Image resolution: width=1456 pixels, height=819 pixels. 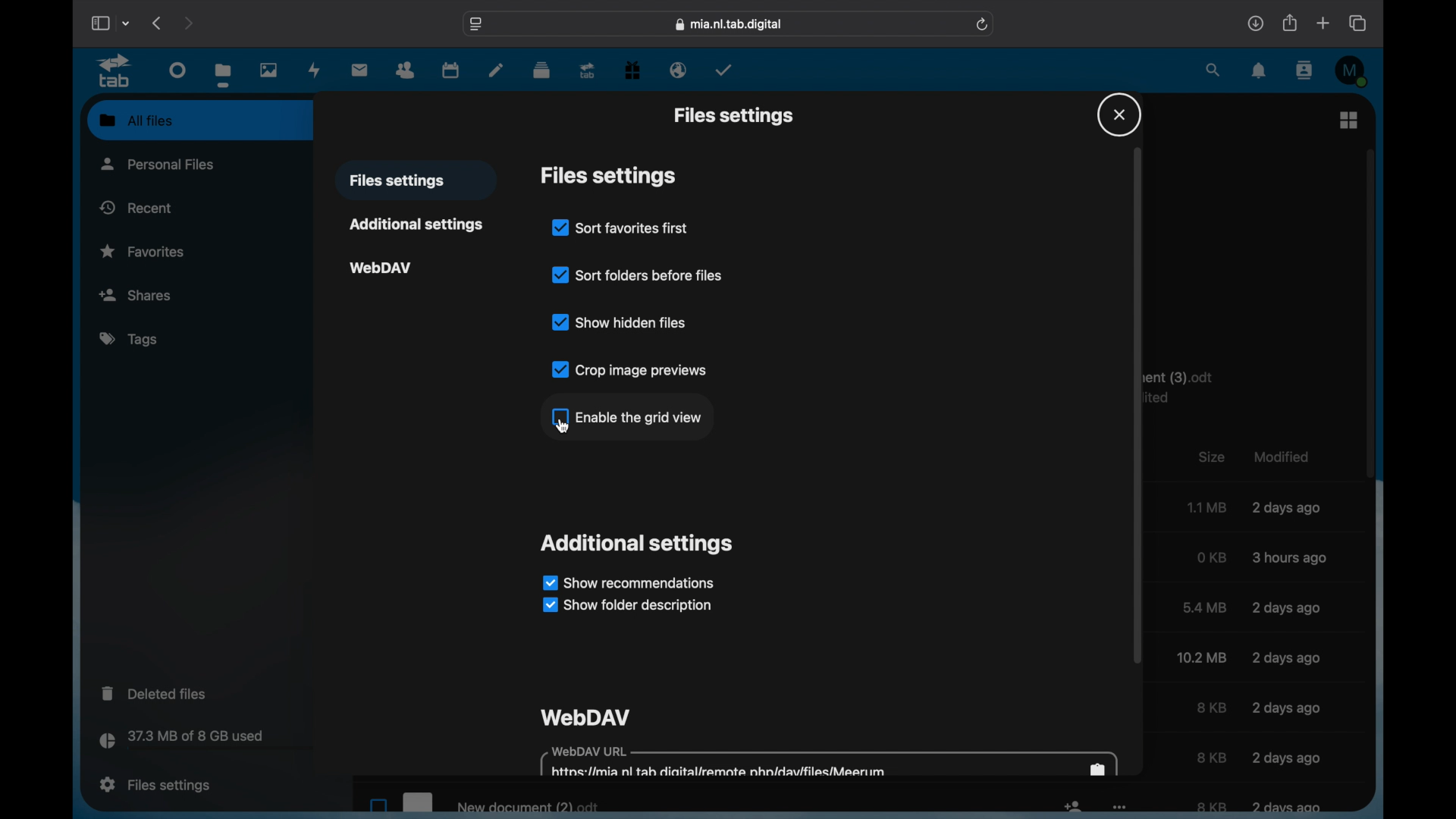 I want to click on modified, so click(x=1285, y=757).